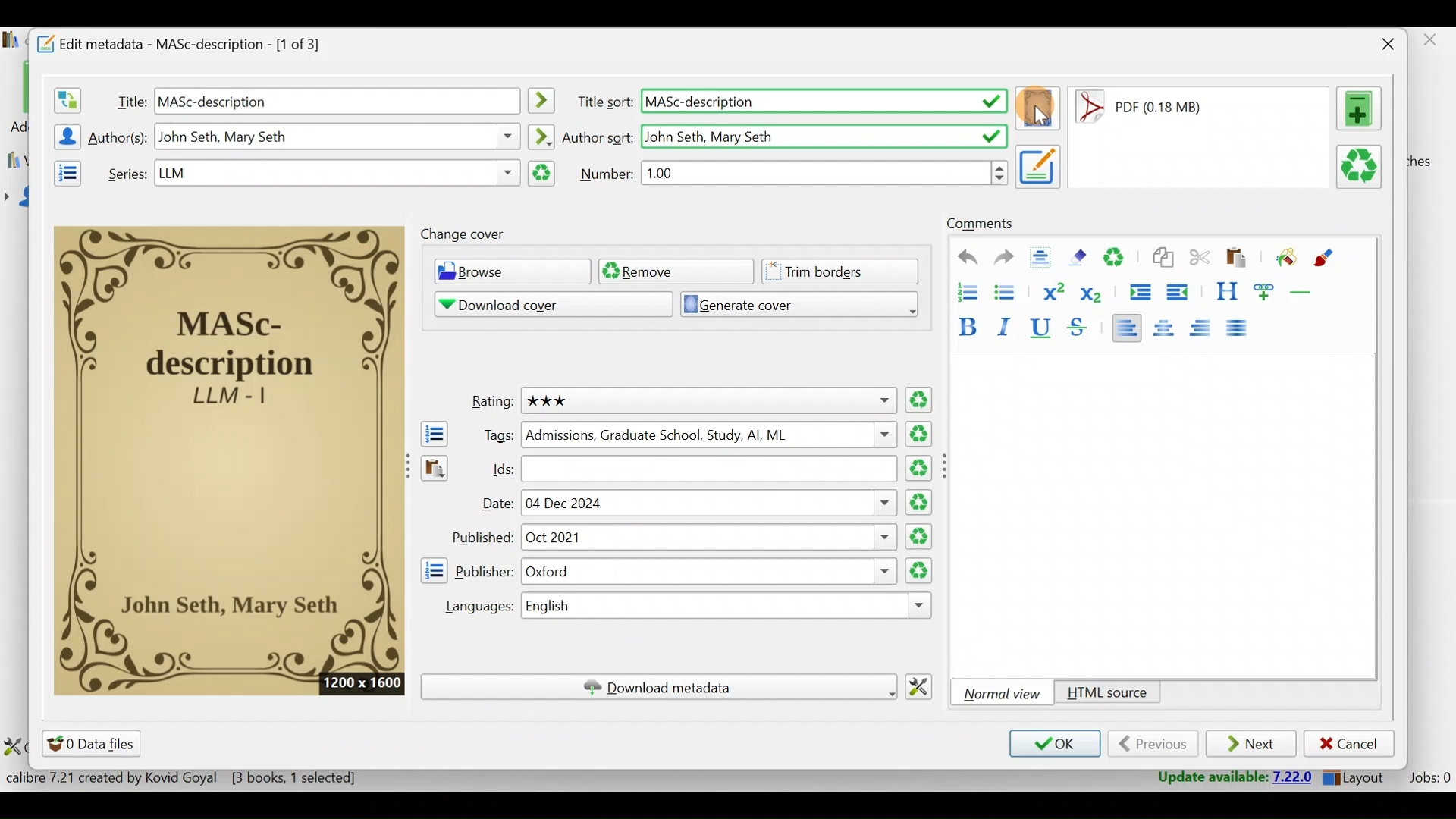 This screenshot has width=1456, height=819. What do you see at coordinates (1094, 293) in the screenshot?
I see `Subscript` at bounding box center [1094, 293].